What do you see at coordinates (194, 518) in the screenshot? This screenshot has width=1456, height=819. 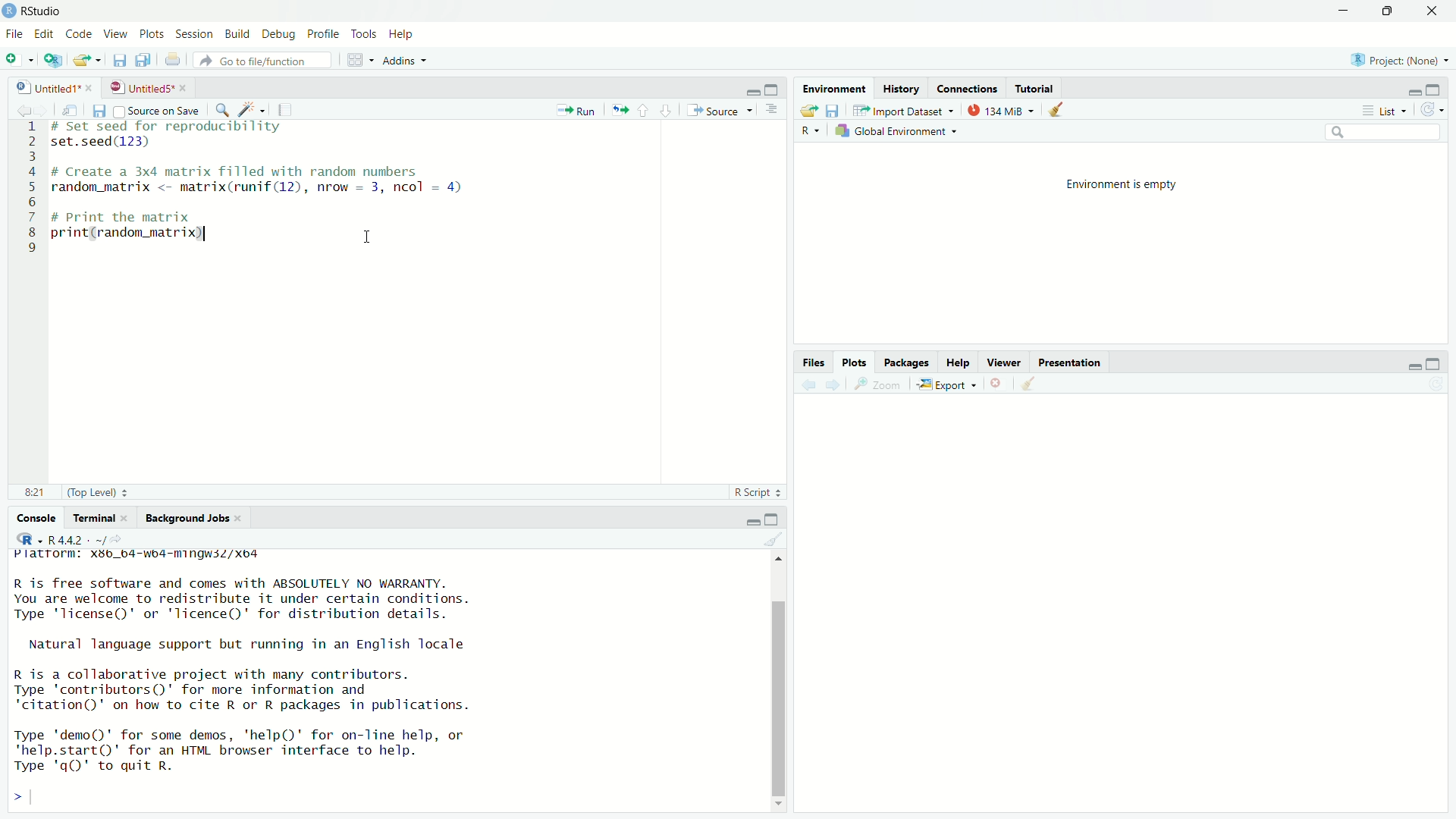 I see `Background Jobs` at bounding box center [194, 518].